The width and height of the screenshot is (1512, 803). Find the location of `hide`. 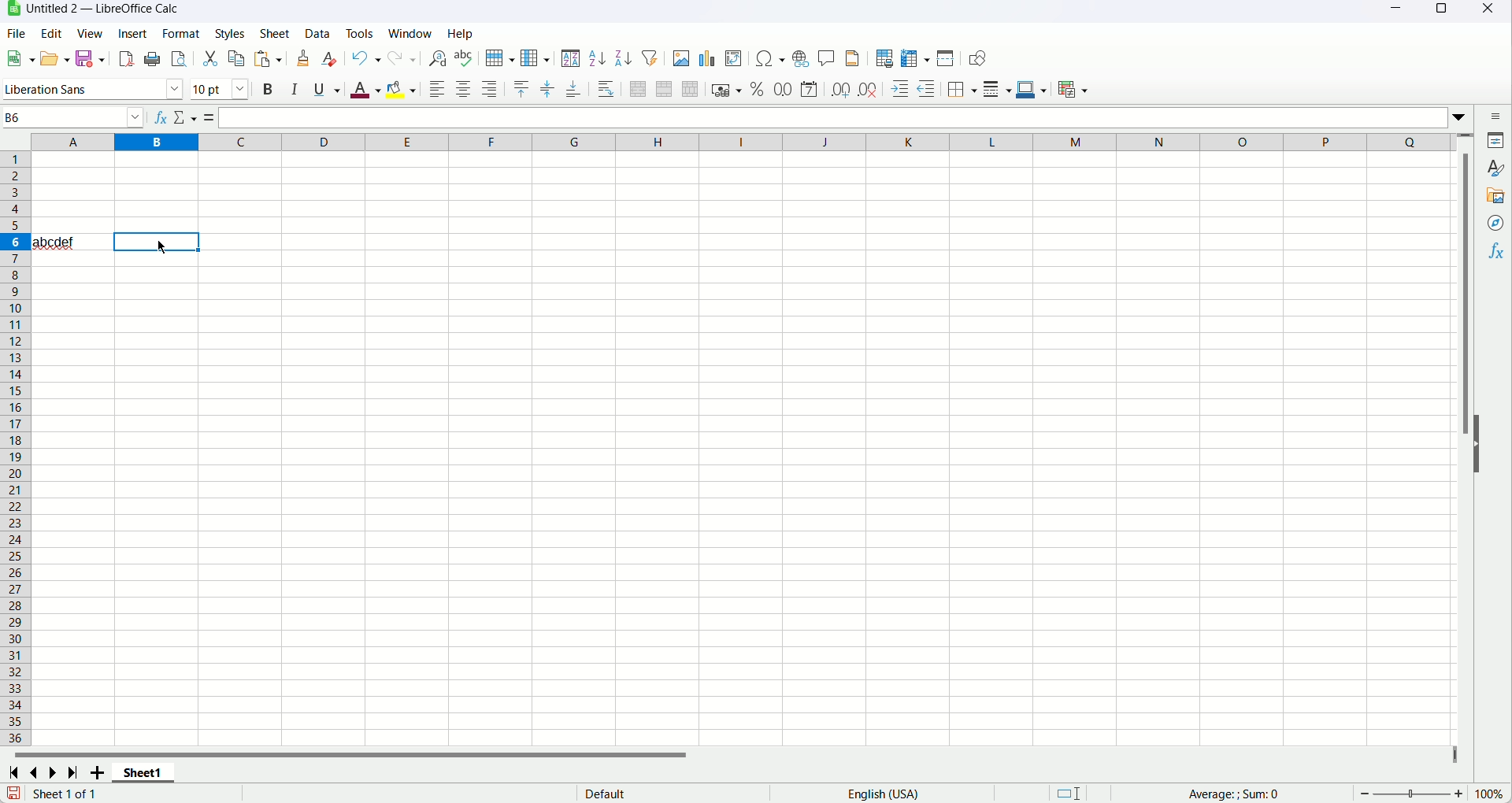

hide is located at coordinates (1479, 446).